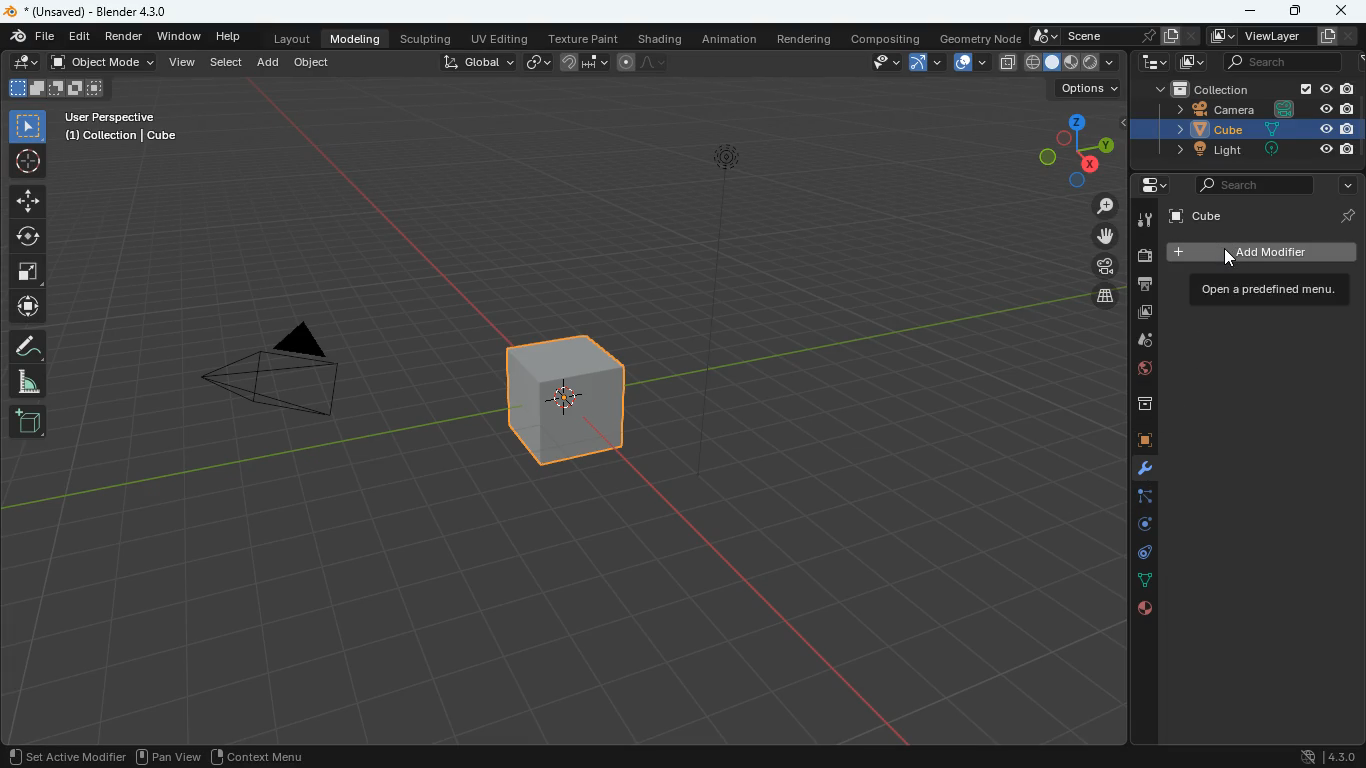 The width and height of the screenshot is (1366, 768). Describe the element at coordinates (980, 38) in the screenshot. I see `geometry node` at that location.